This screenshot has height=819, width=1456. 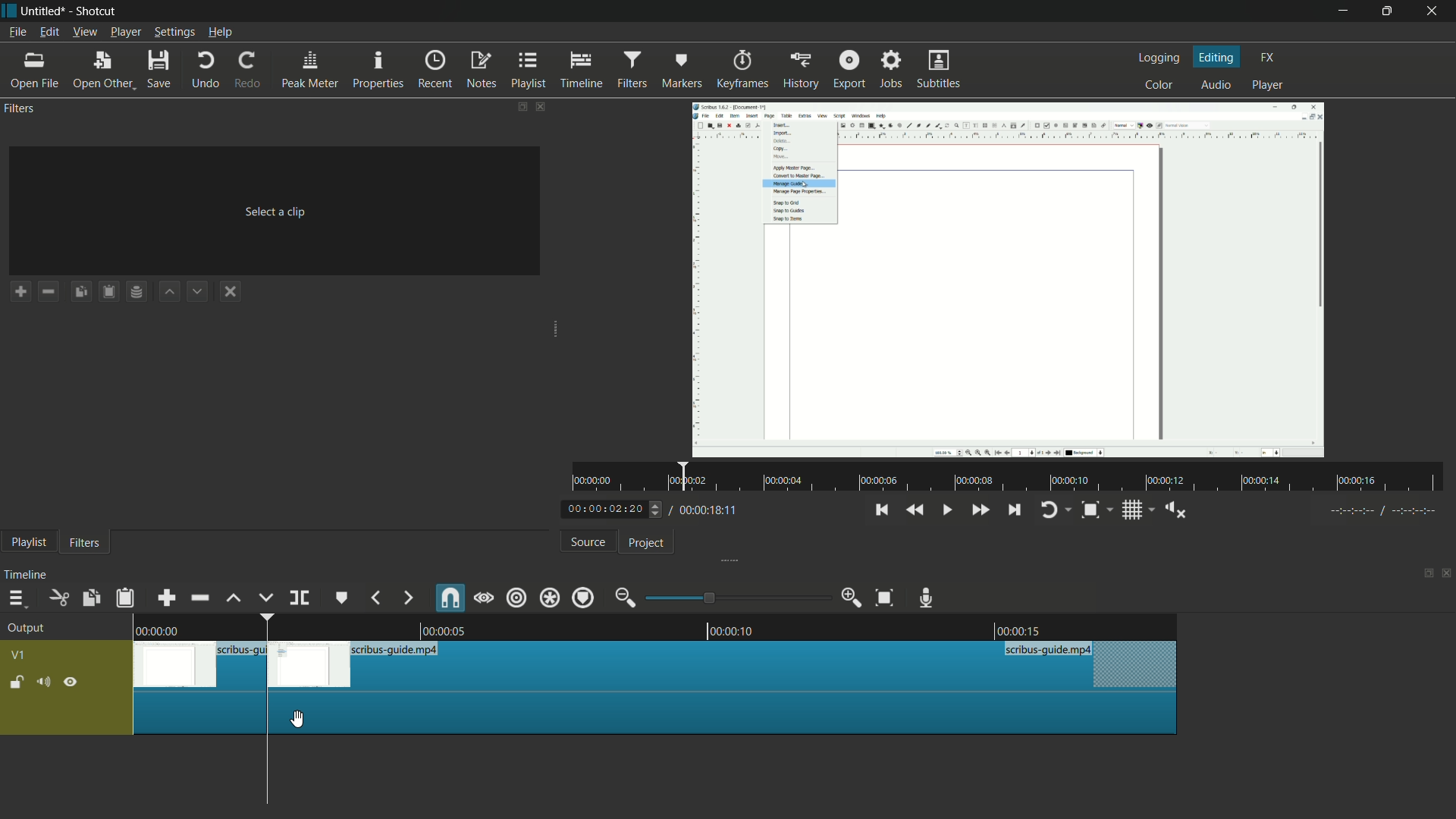 I want to click on copy filters, so click(x=81, y=292).